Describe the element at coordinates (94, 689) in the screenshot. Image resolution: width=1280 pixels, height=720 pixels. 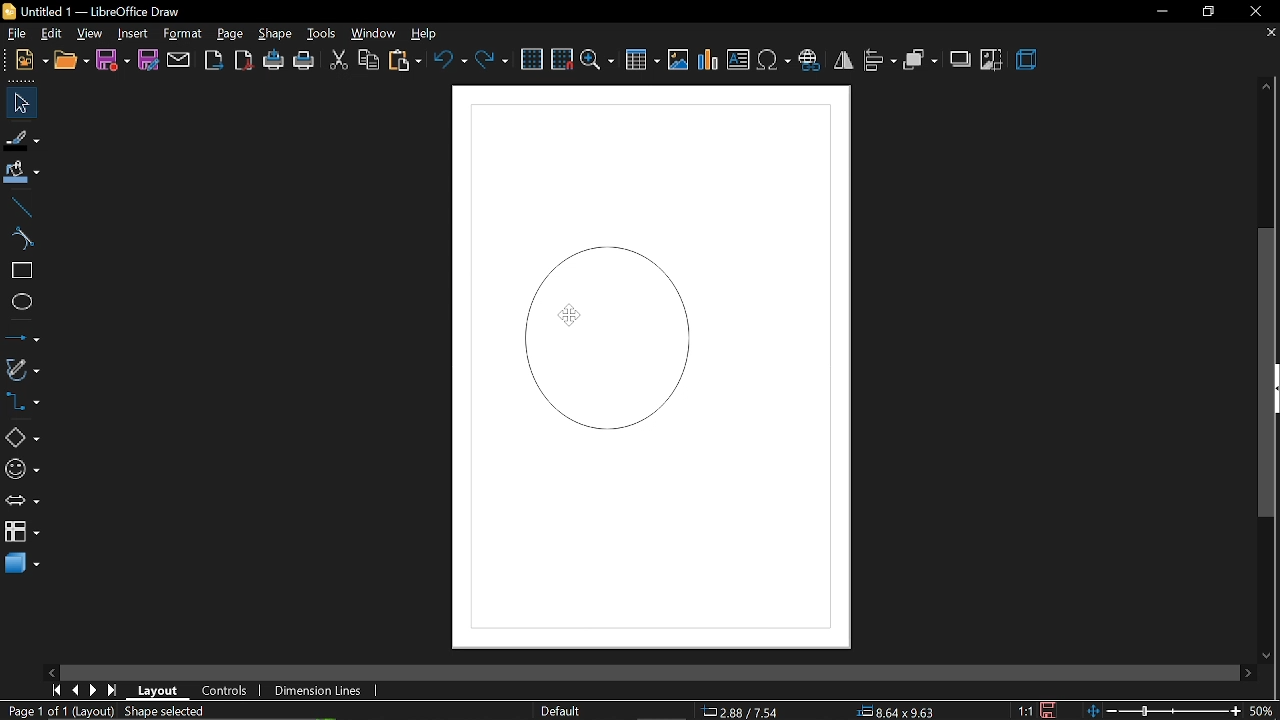
I see `next page` at that location.